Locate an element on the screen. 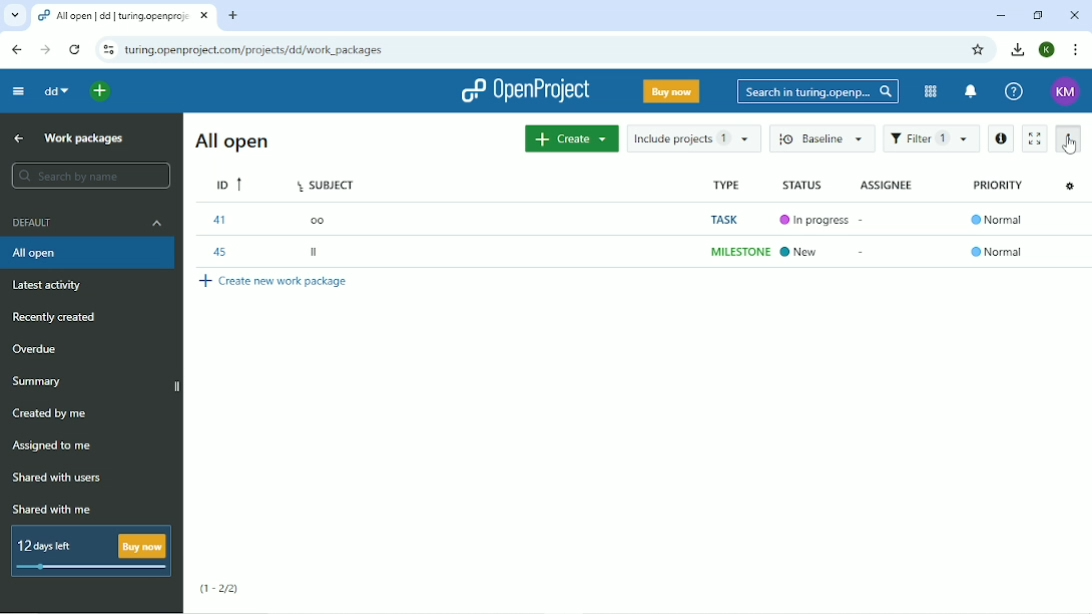  Close is located at coordinates (1074, 15).